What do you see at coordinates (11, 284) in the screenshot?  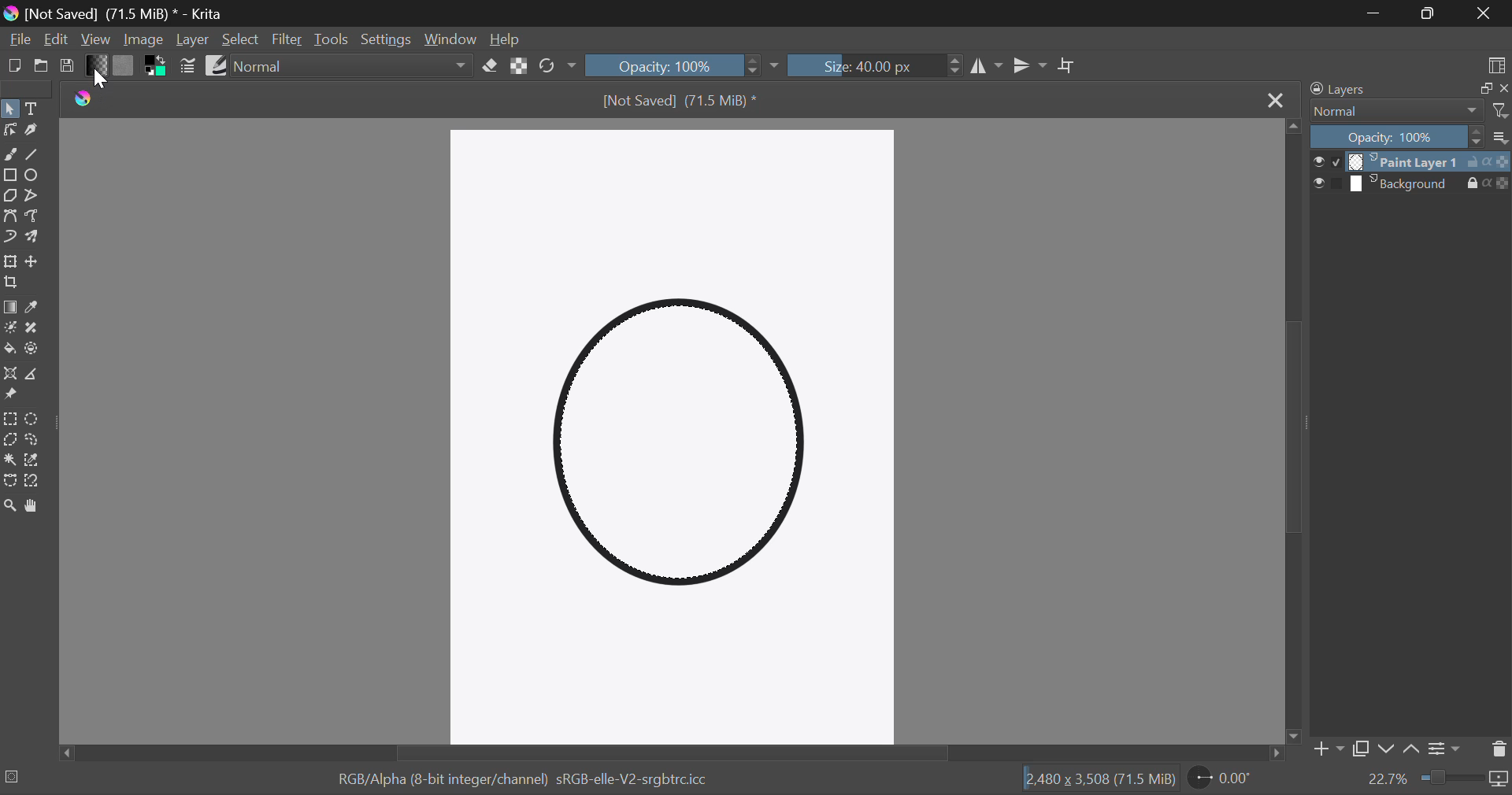 I see `Crop` at bounding box center [11, 284].